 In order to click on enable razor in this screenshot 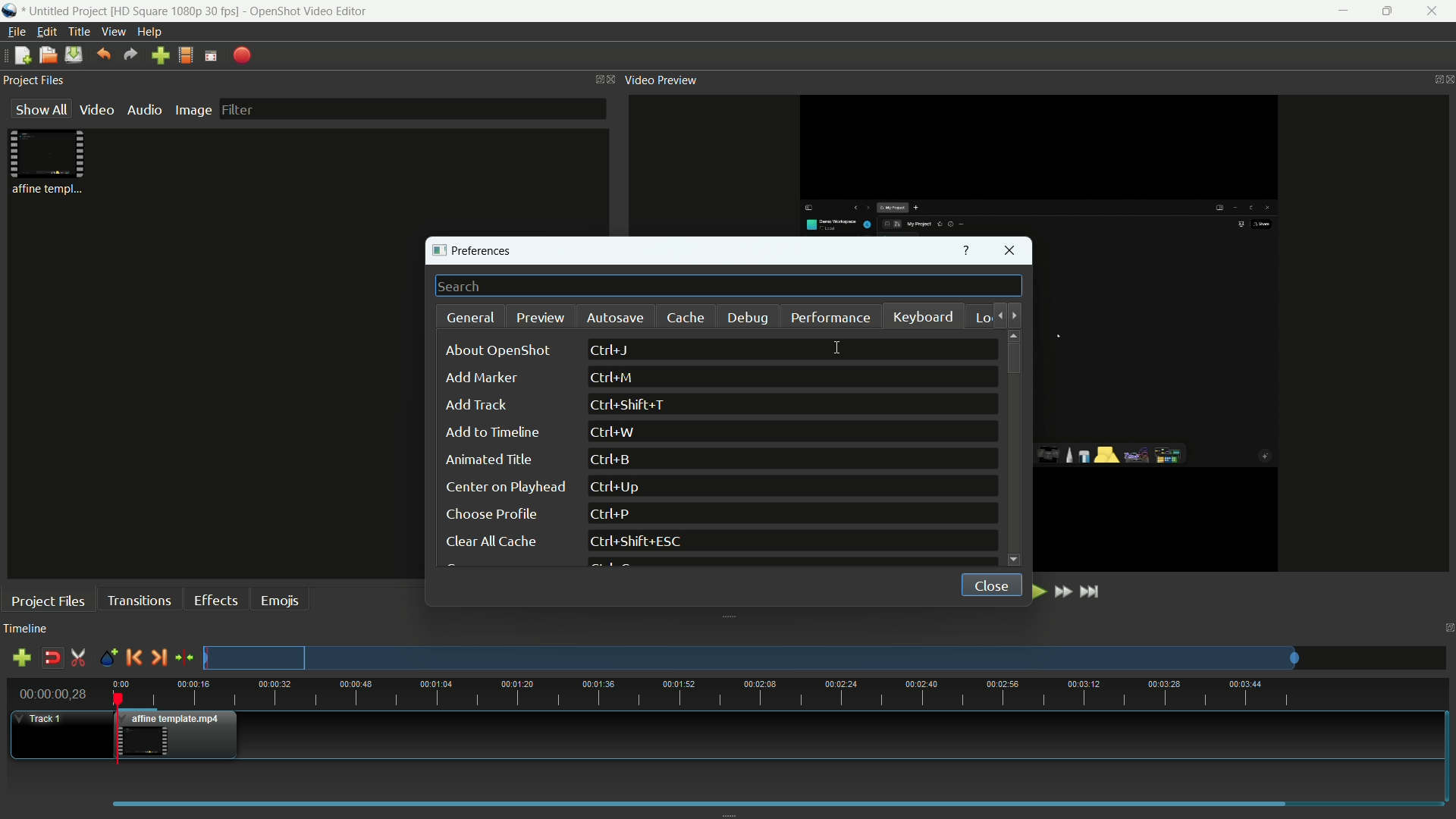, I will do `click(78, 658)`.